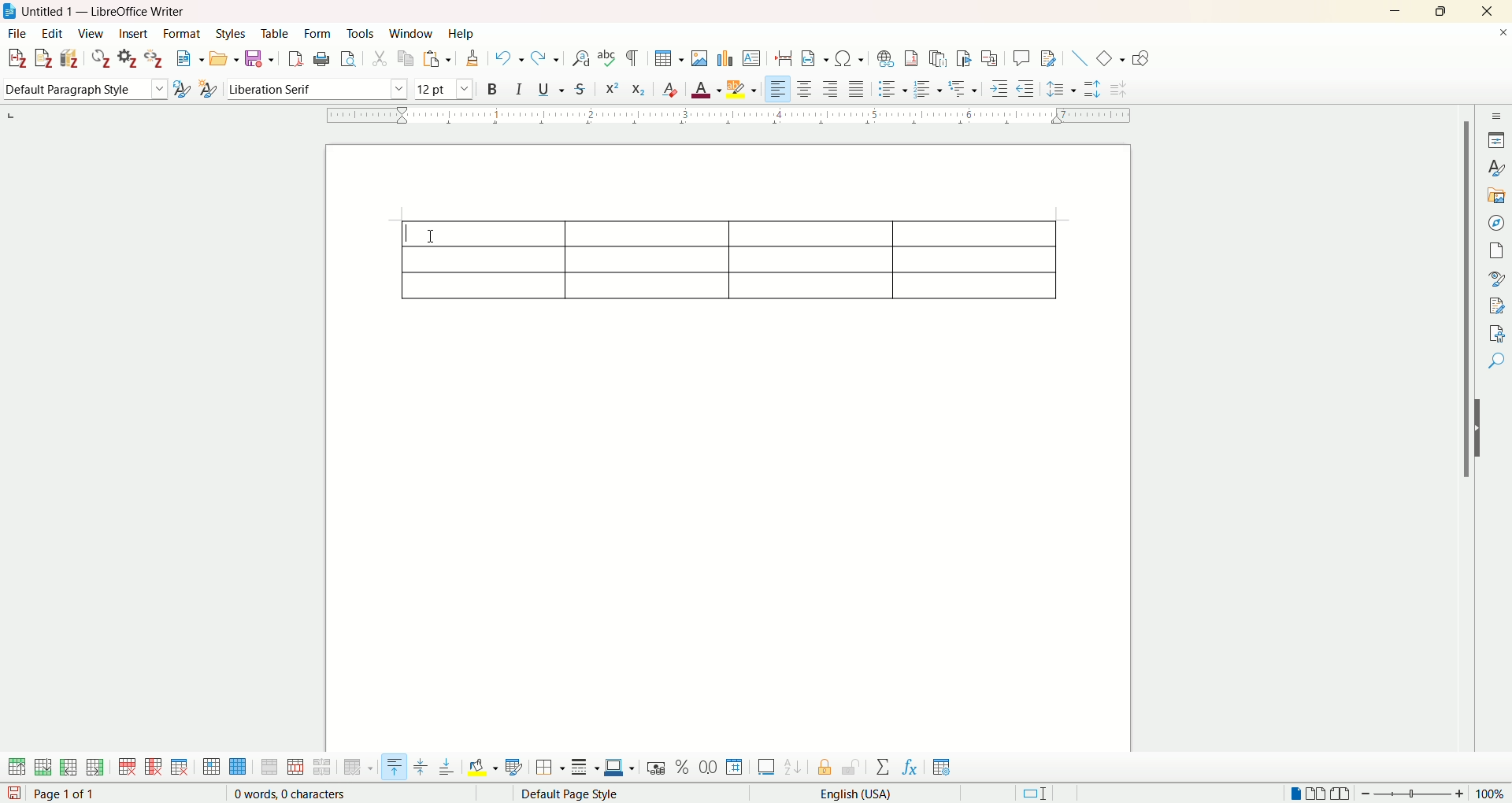 The width and height of the screenshot is (1512, 803). I want to click on format, so click(181, 35).